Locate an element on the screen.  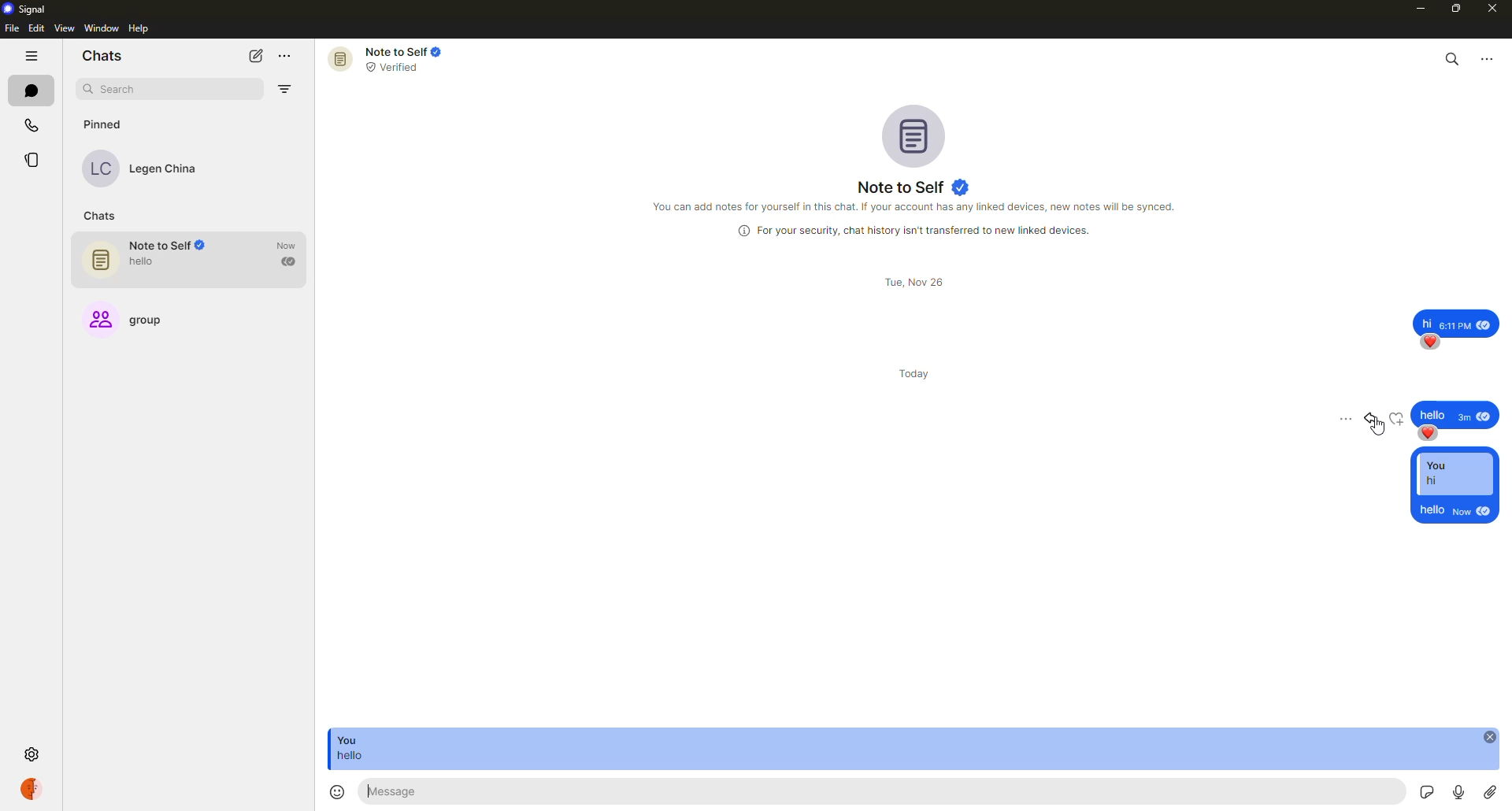
attach is located at coordinates (1492, 791).